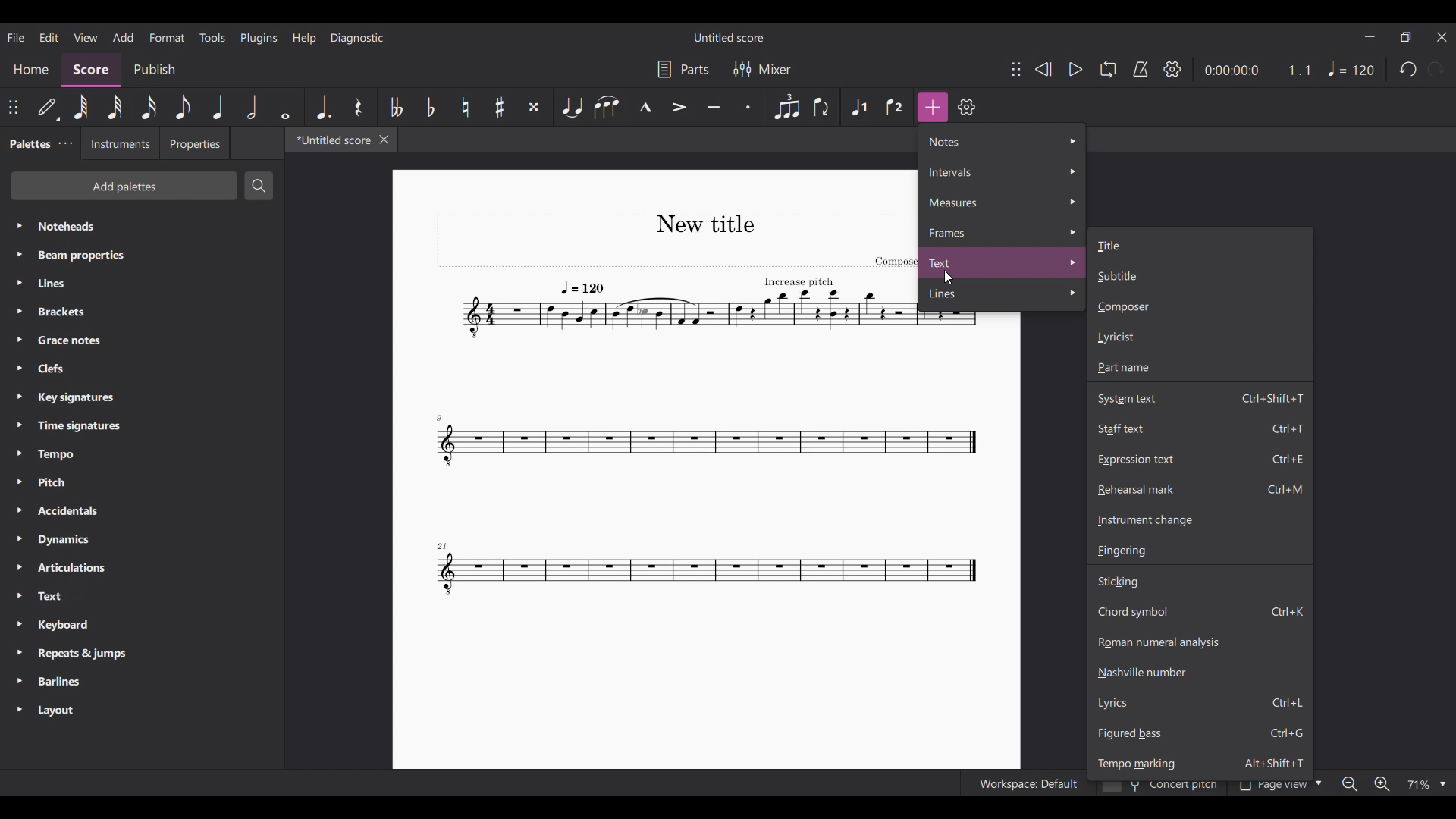 The height and width of the screenshot is (819, 1456). I want to click on Close tab, so click(384, 140).